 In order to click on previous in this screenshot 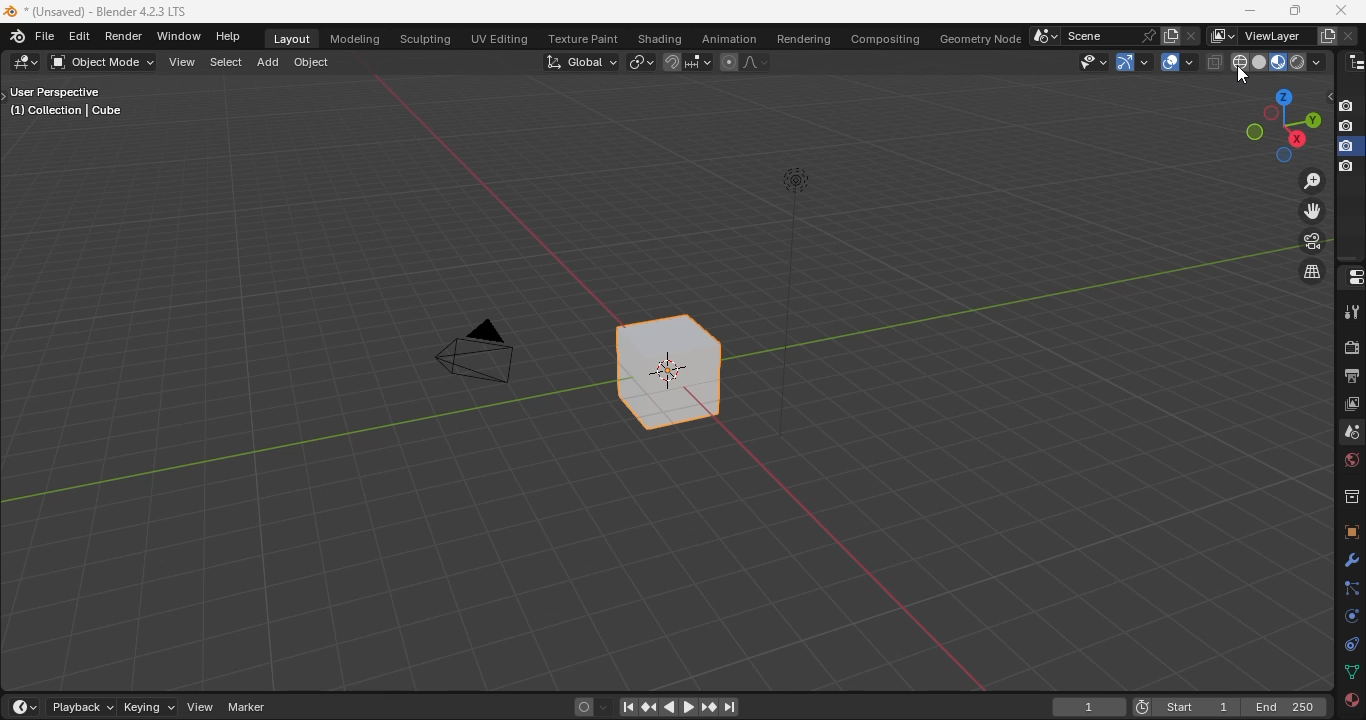, I will do `click(649, 708)`.